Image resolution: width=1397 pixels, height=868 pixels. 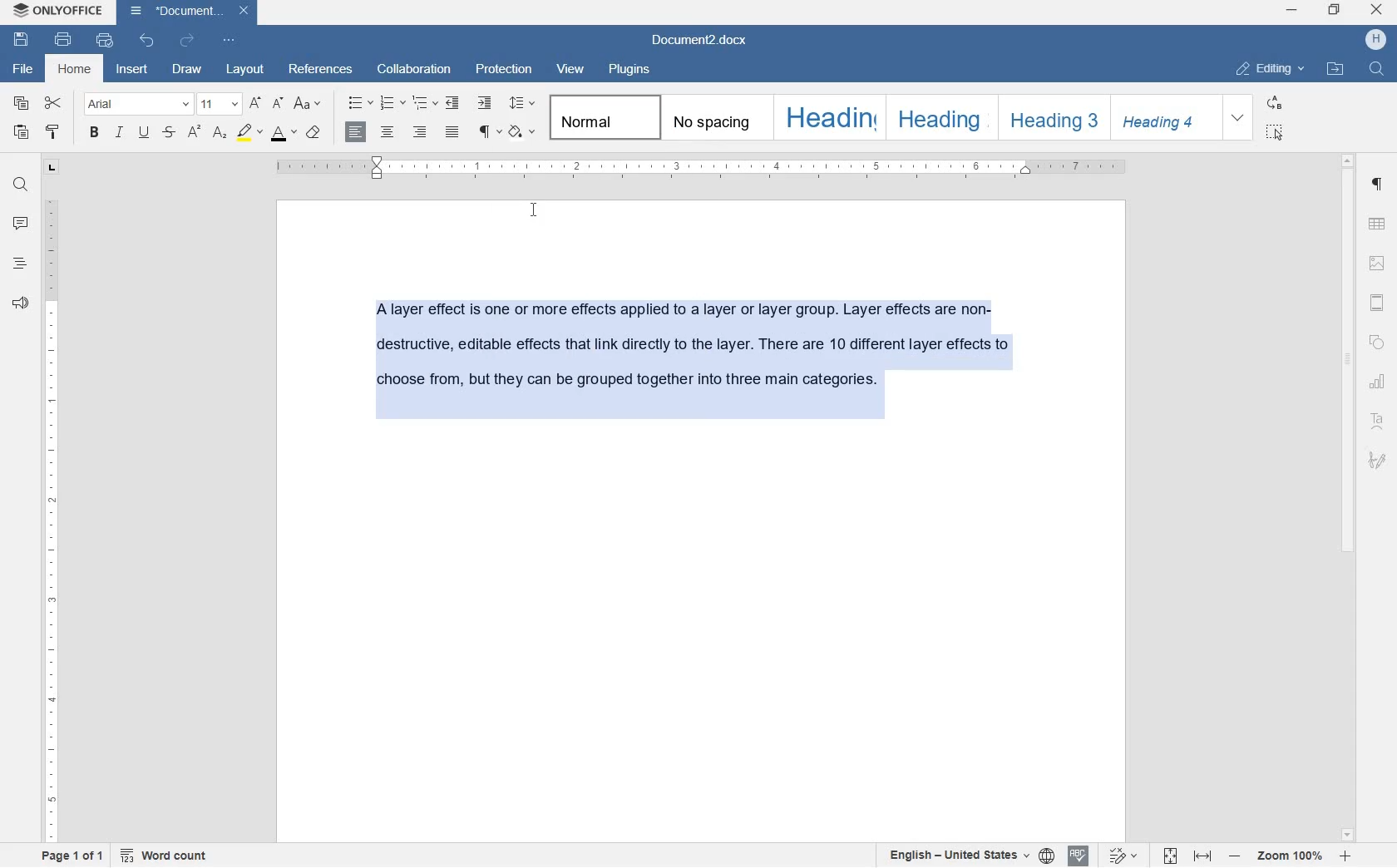 What do you see at coordinates (277, 104) in the screenshot?
I see `decrement font size` at bounding box center [277, 104].